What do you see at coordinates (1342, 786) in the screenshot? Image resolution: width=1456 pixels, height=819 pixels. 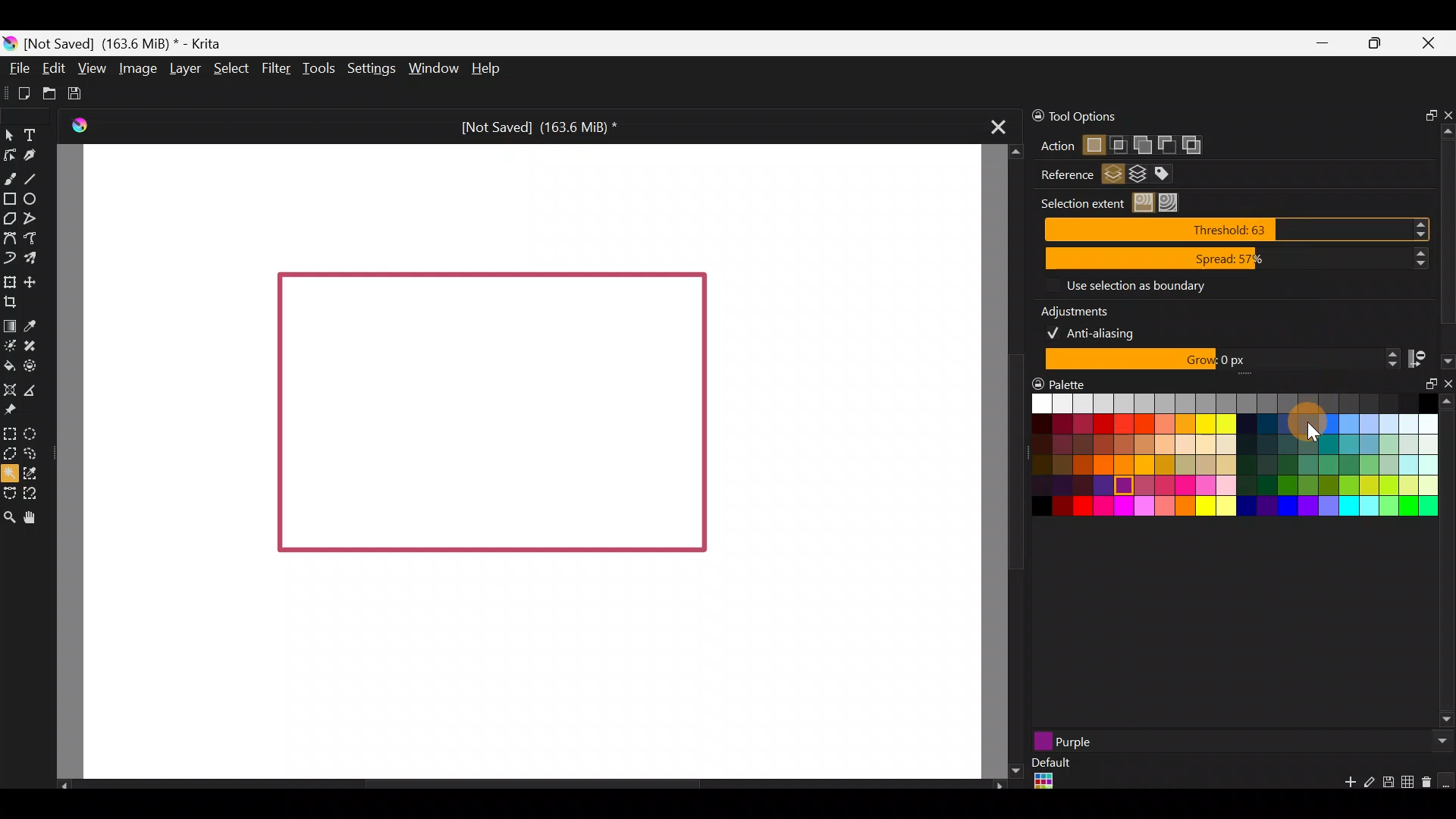 I see `Add a new colour swatch` at bounding box center [1342, 786].